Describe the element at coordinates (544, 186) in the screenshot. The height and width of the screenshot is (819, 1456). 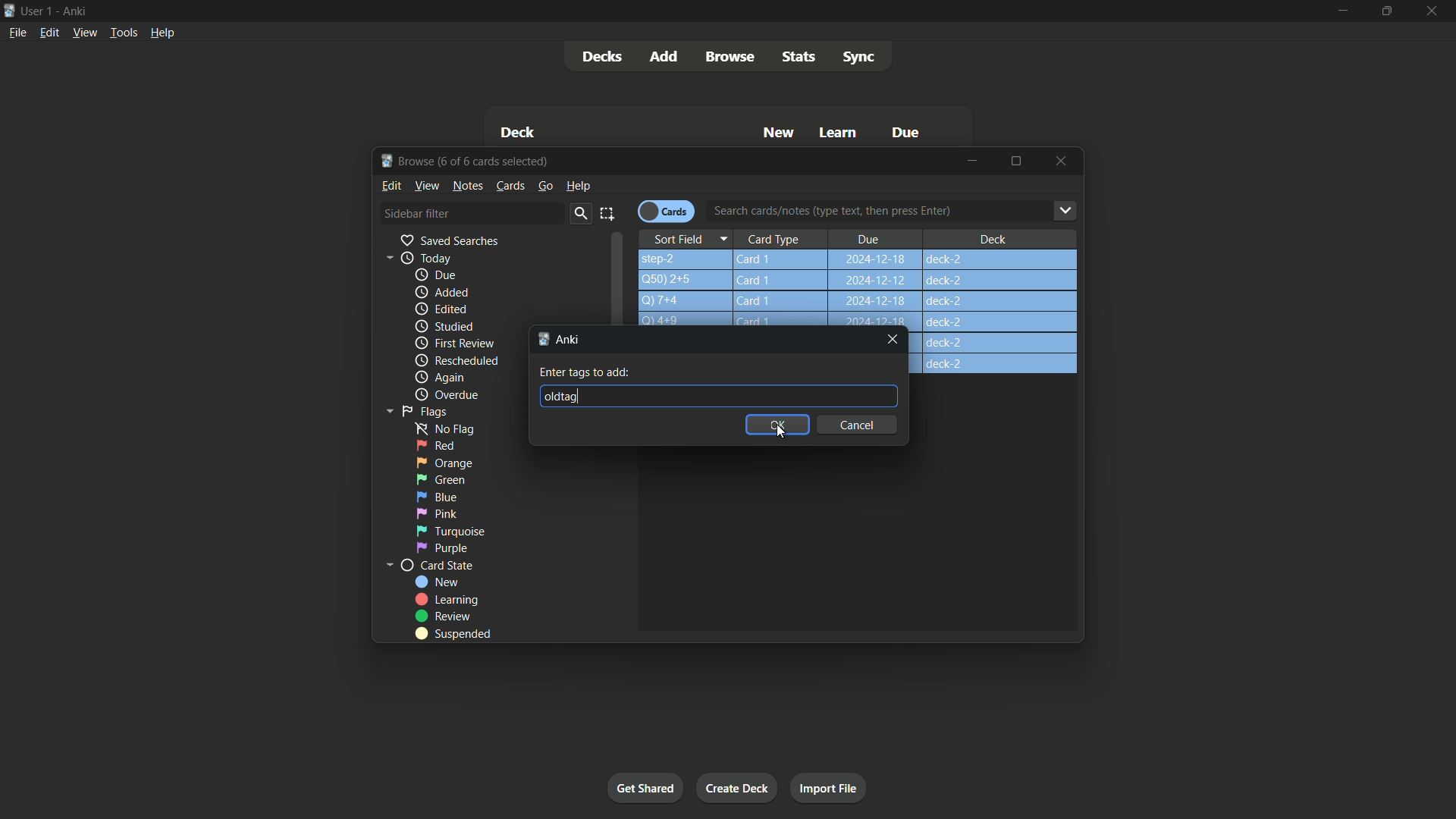
I see `go` at that location.